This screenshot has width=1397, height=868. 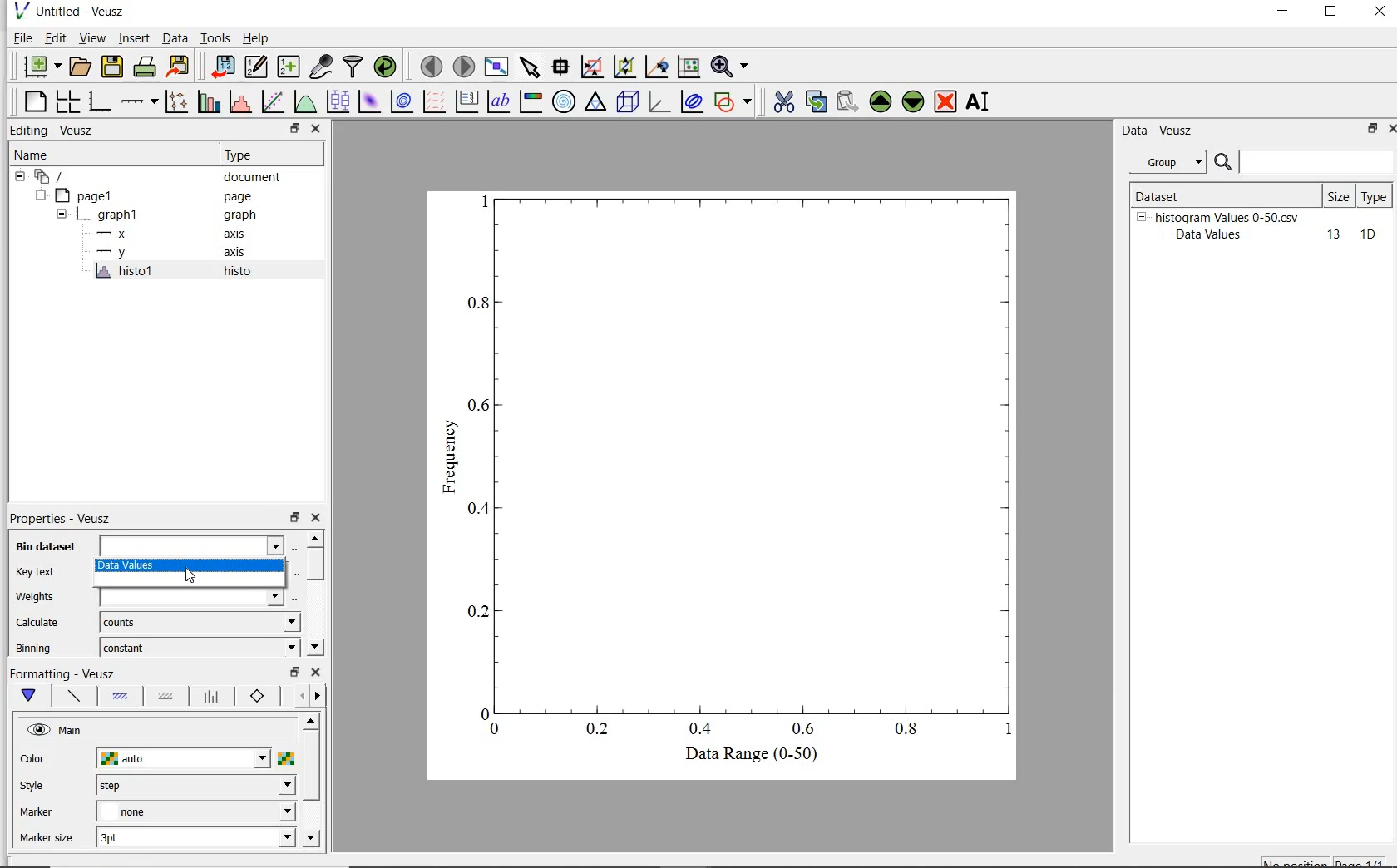 What do you see at coordinates (241, 234) in the screenshot?
I see `axis` at bounding box center [241, 234].